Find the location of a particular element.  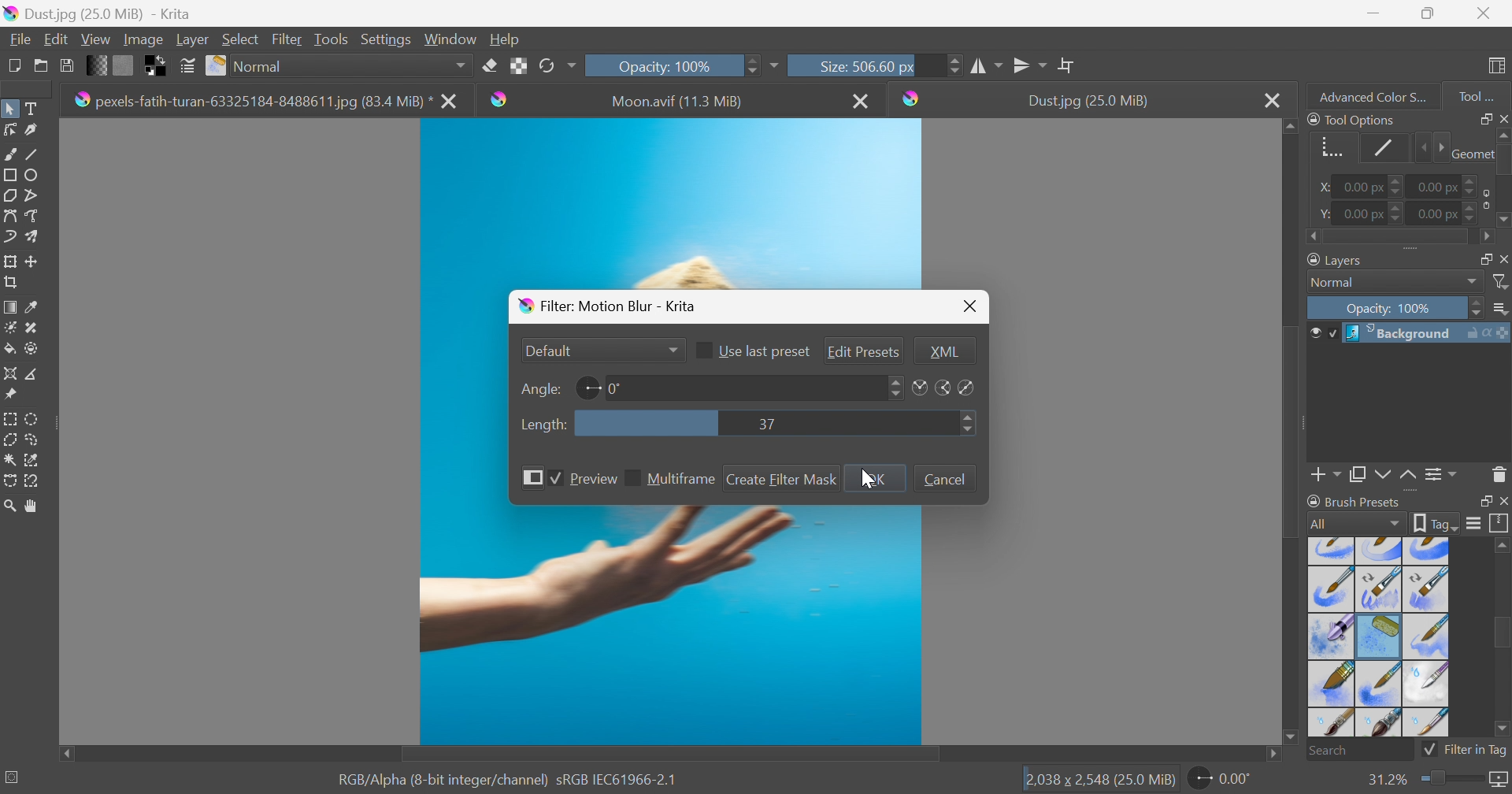

Angle: is located at coordinates (538, 388).